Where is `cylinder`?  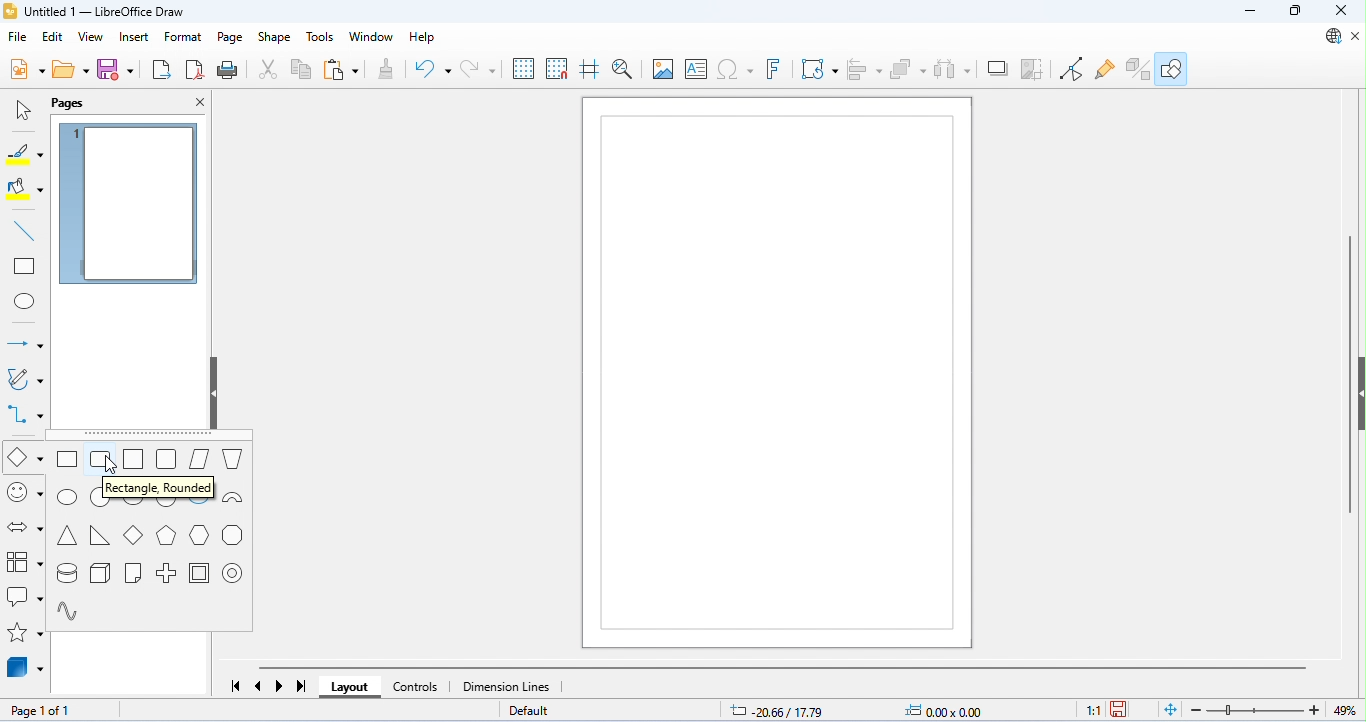 cylinder is located at coordinates (68, 571).